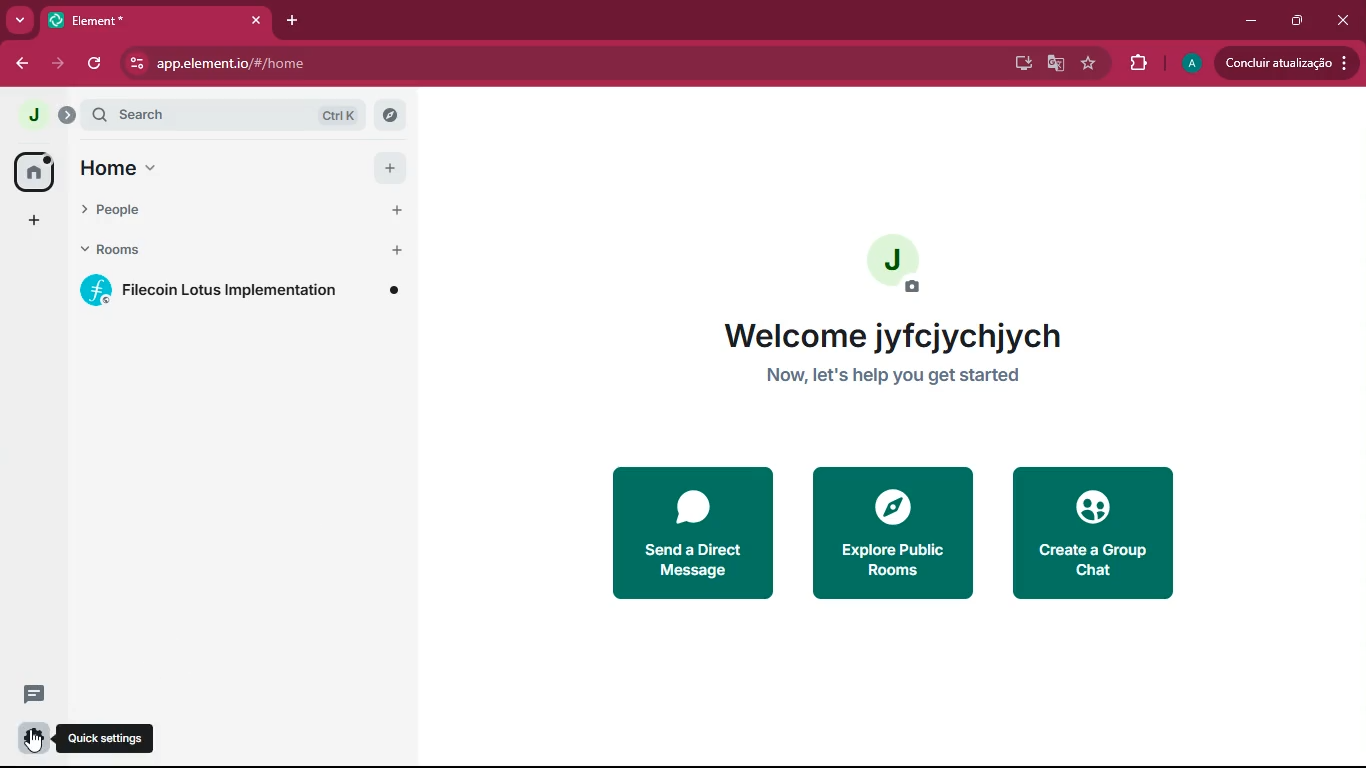 This screenshot has width=1366, height=768. I want to click on profile, so click(1191, 64).